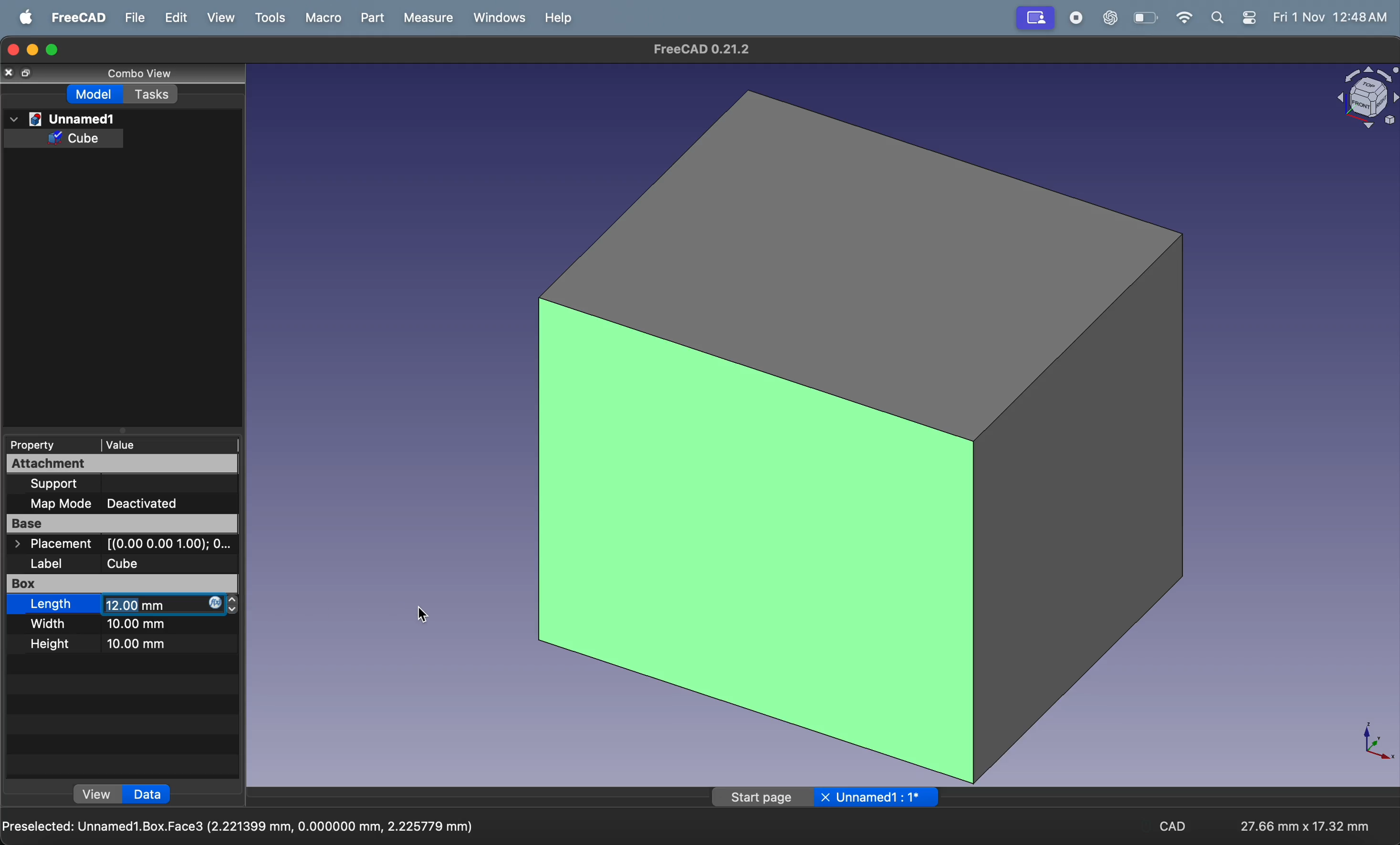  What do you see at coordinates (74, 17) in the screenshot?
I see `freecad` at bounding box center [74, 17].